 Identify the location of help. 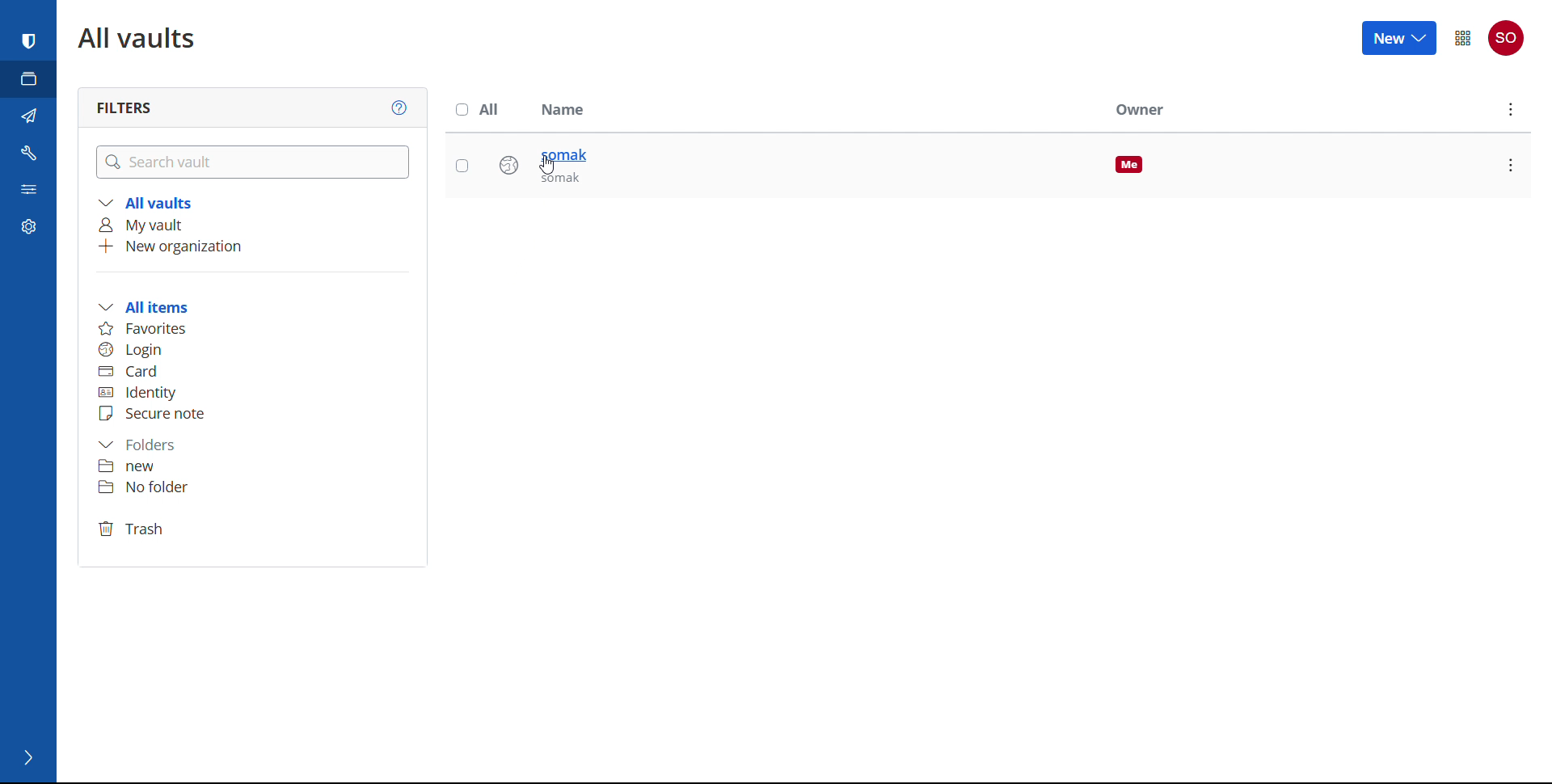
(399, 107).